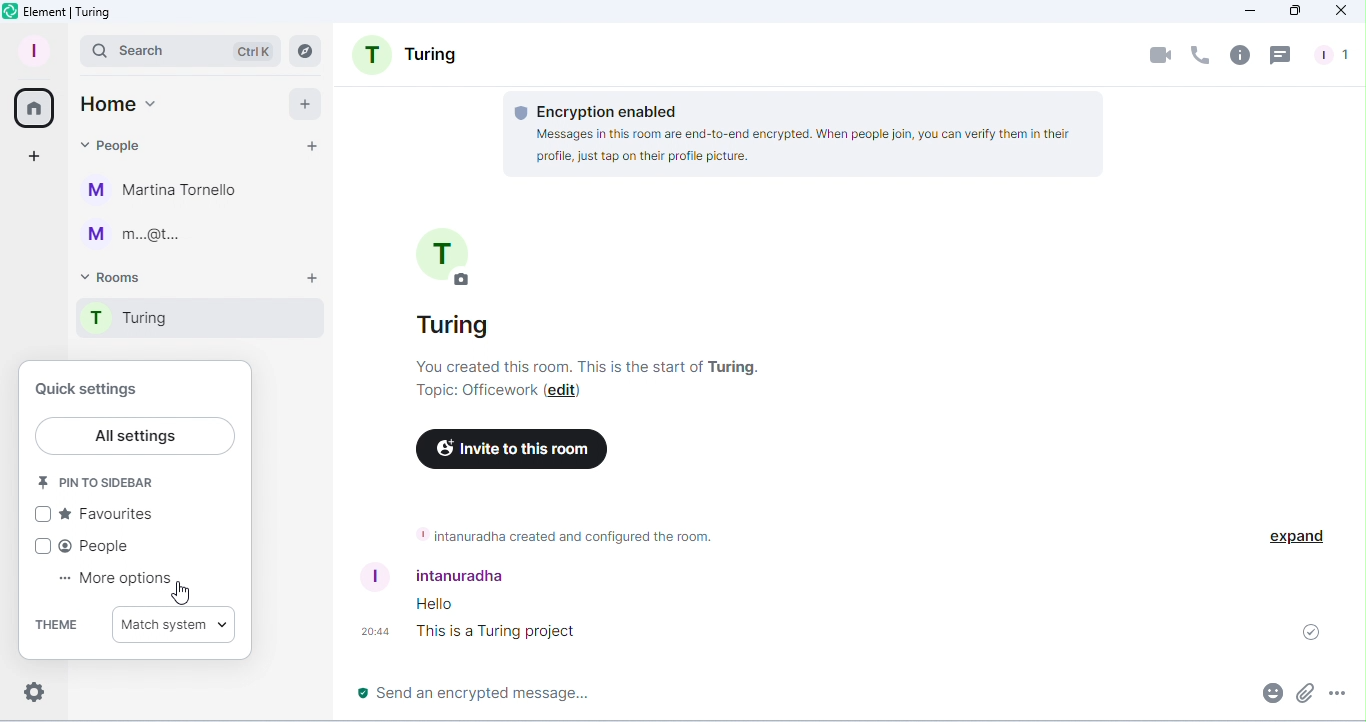  What do you see at coordinates (804, 136) in the screenshot?
I see `Encryption notification` at bounding box center [804, 136].